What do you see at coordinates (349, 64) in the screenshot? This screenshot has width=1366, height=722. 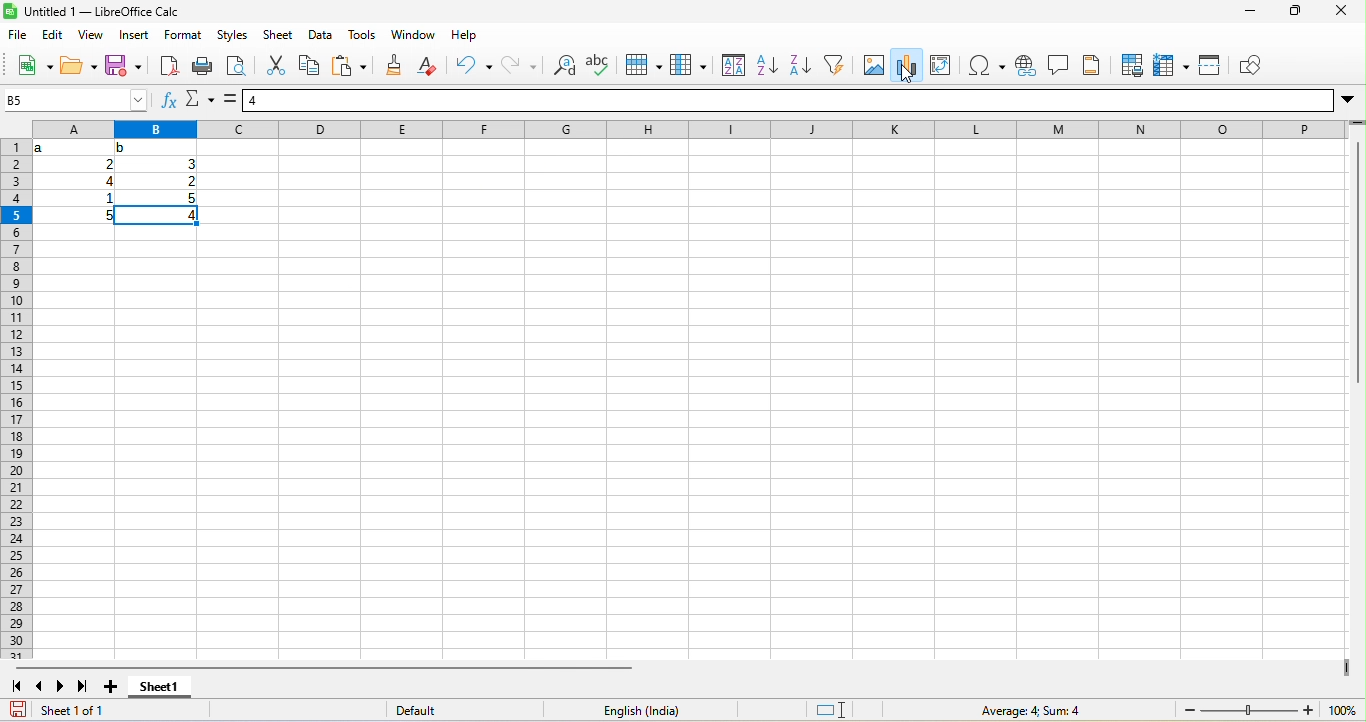 I see `paste` at bounding box center [349, 64].